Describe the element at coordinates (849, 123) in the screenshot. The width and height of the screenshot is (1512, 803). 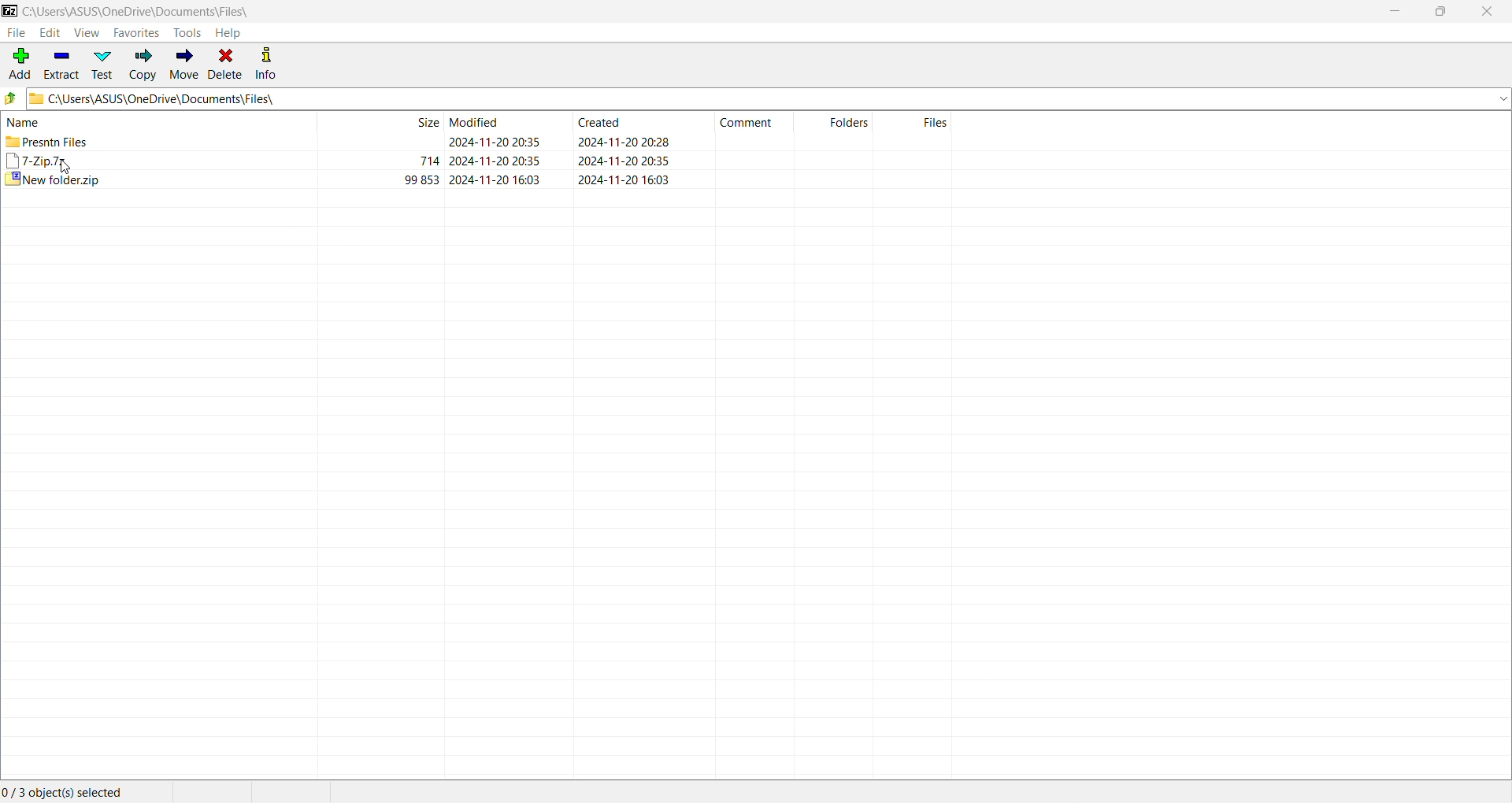
I see `folder` at that location.